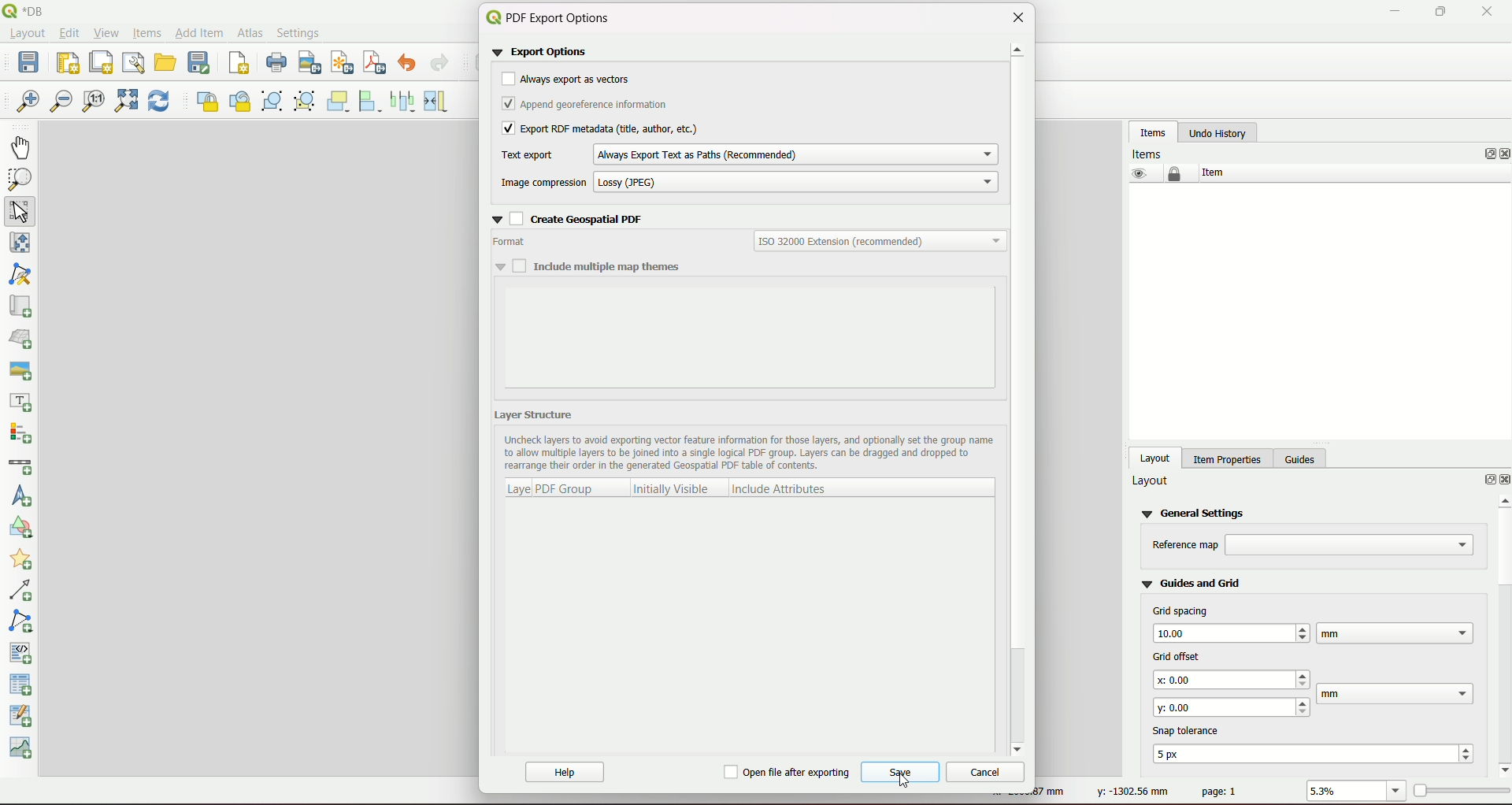 This screenshot has width=1512, height=805. I want to click on add arrow, so click(24, 592).